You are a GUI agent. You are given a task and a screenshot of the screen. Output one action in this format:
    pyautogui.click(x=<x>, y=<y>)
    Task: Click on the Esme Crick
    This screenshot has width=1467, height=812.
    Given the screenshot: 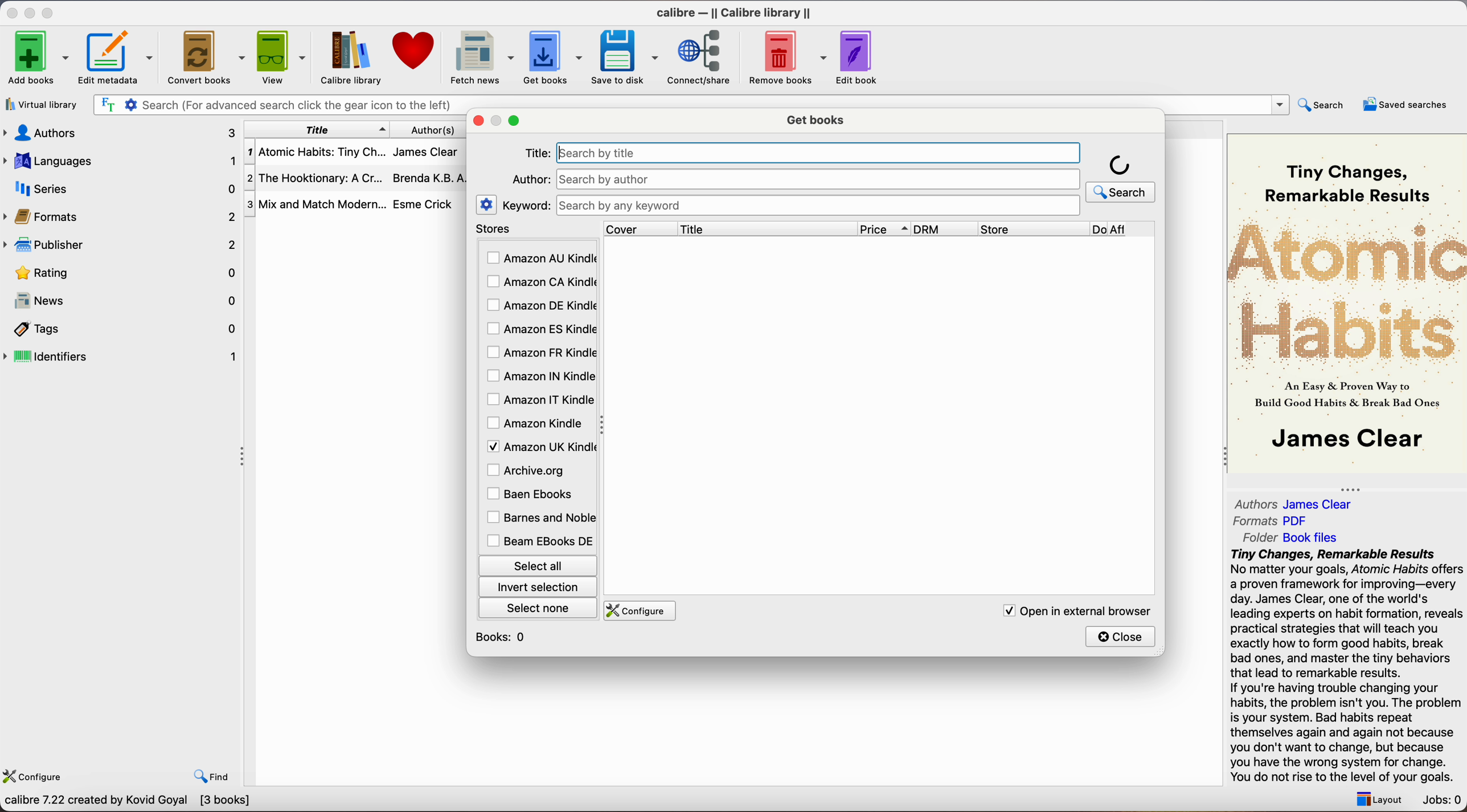 What is the action you would take?
    pyautogui.click(x=423, y=204)
    